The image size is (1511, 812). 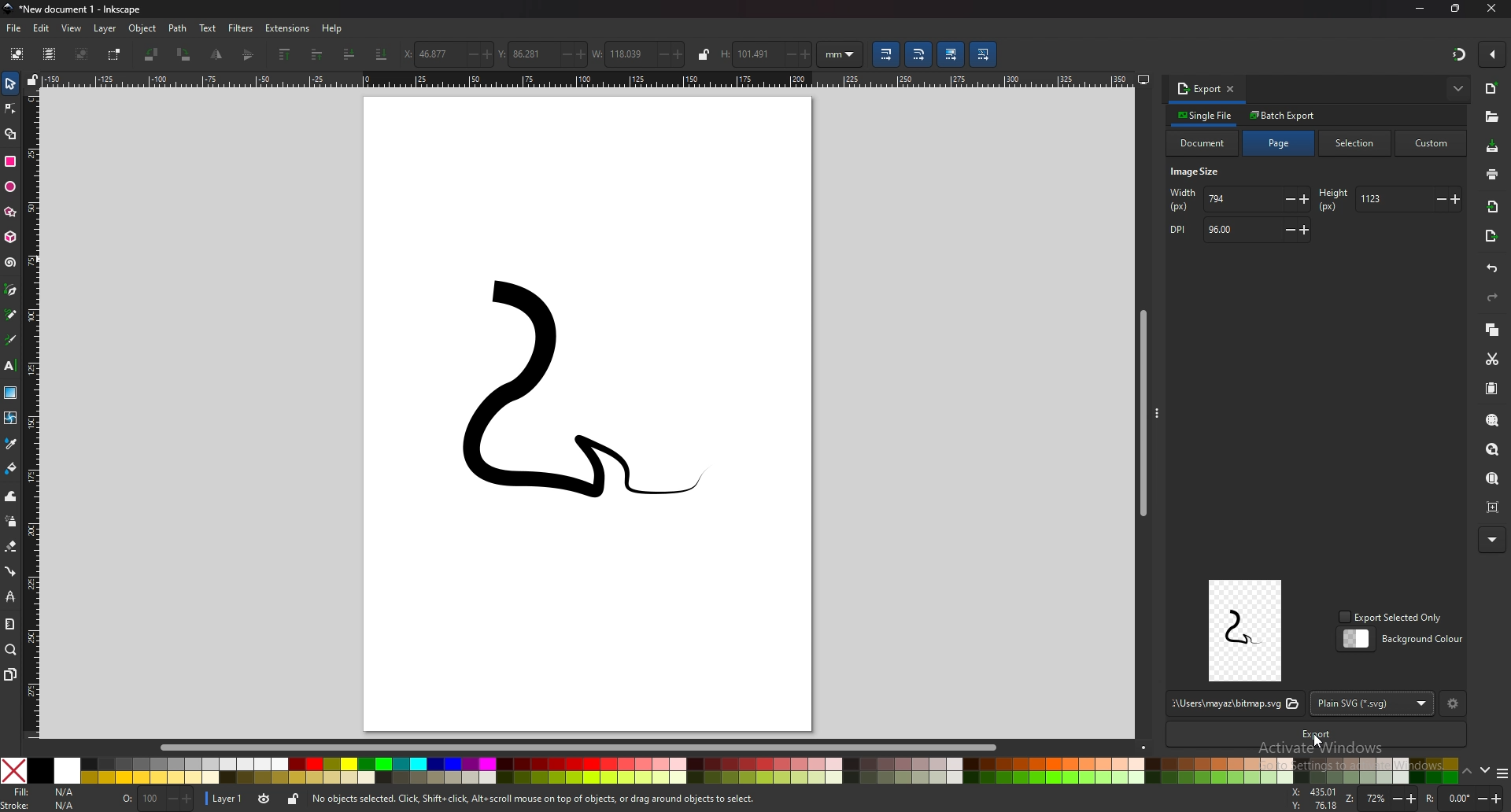 What do you see at coordinates (1456, 9) in the screenshot?
I see `resize` at bounding box center [1456, 9].